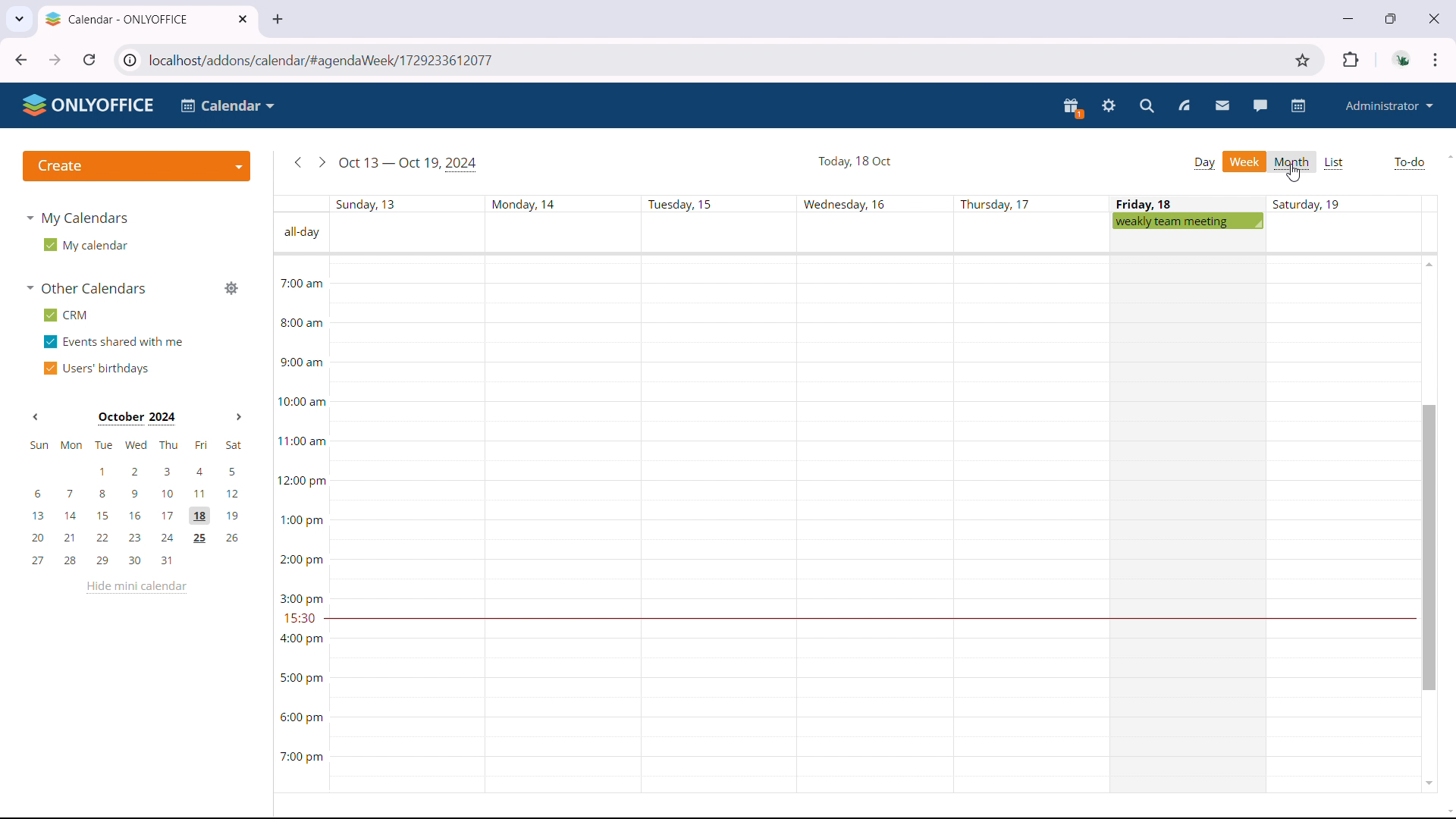 The height and width of the screenshot is (819, 1456). What do you see at coordinates (89, 60) in the screenshot?
I see `refresh` at bounding box center [89, 60].